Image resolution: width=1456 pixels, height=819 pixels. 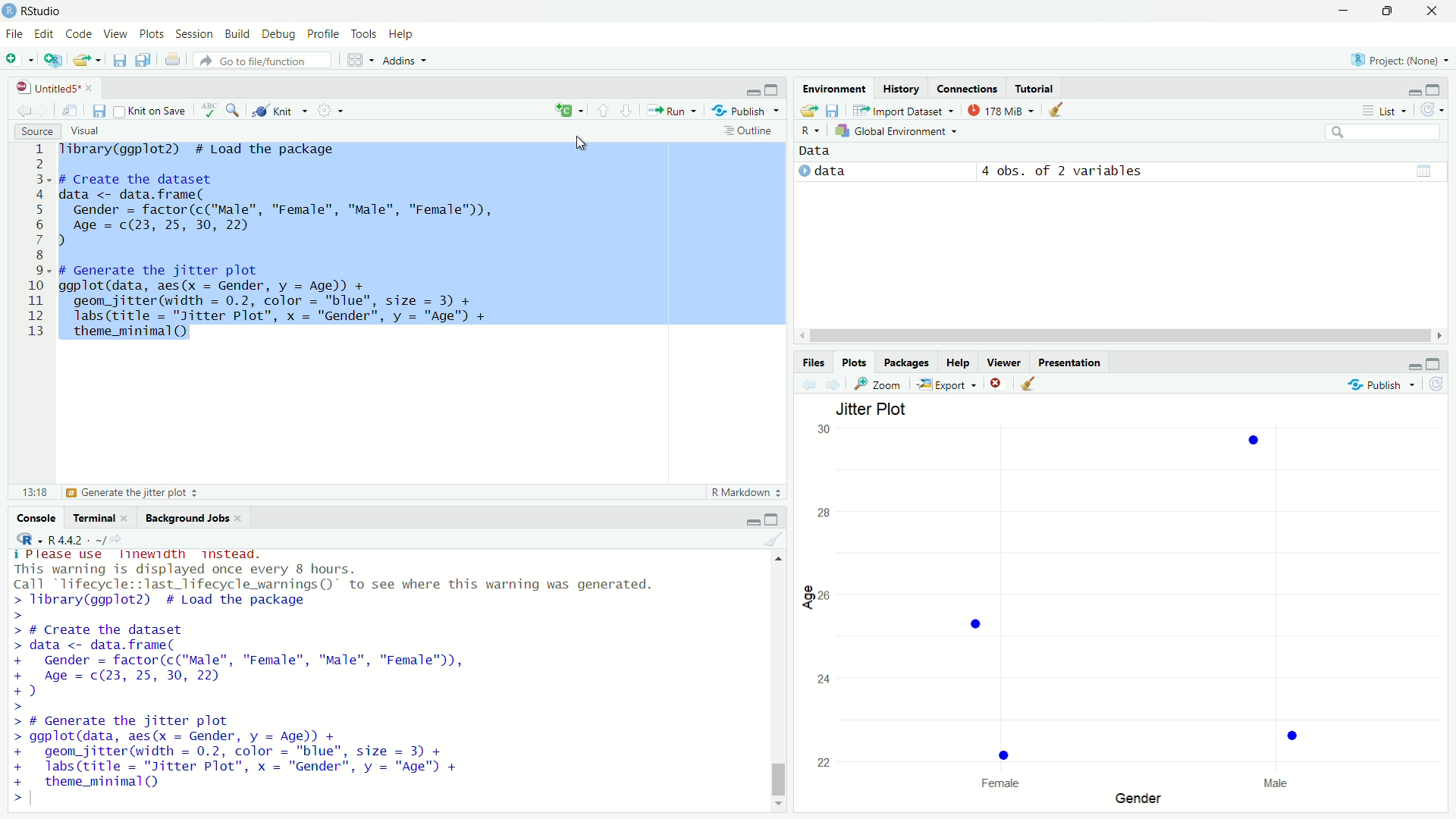 What do you see at coordinates (408, 32) in the screenshot?
I see `help` at bounding box center [408, 32].